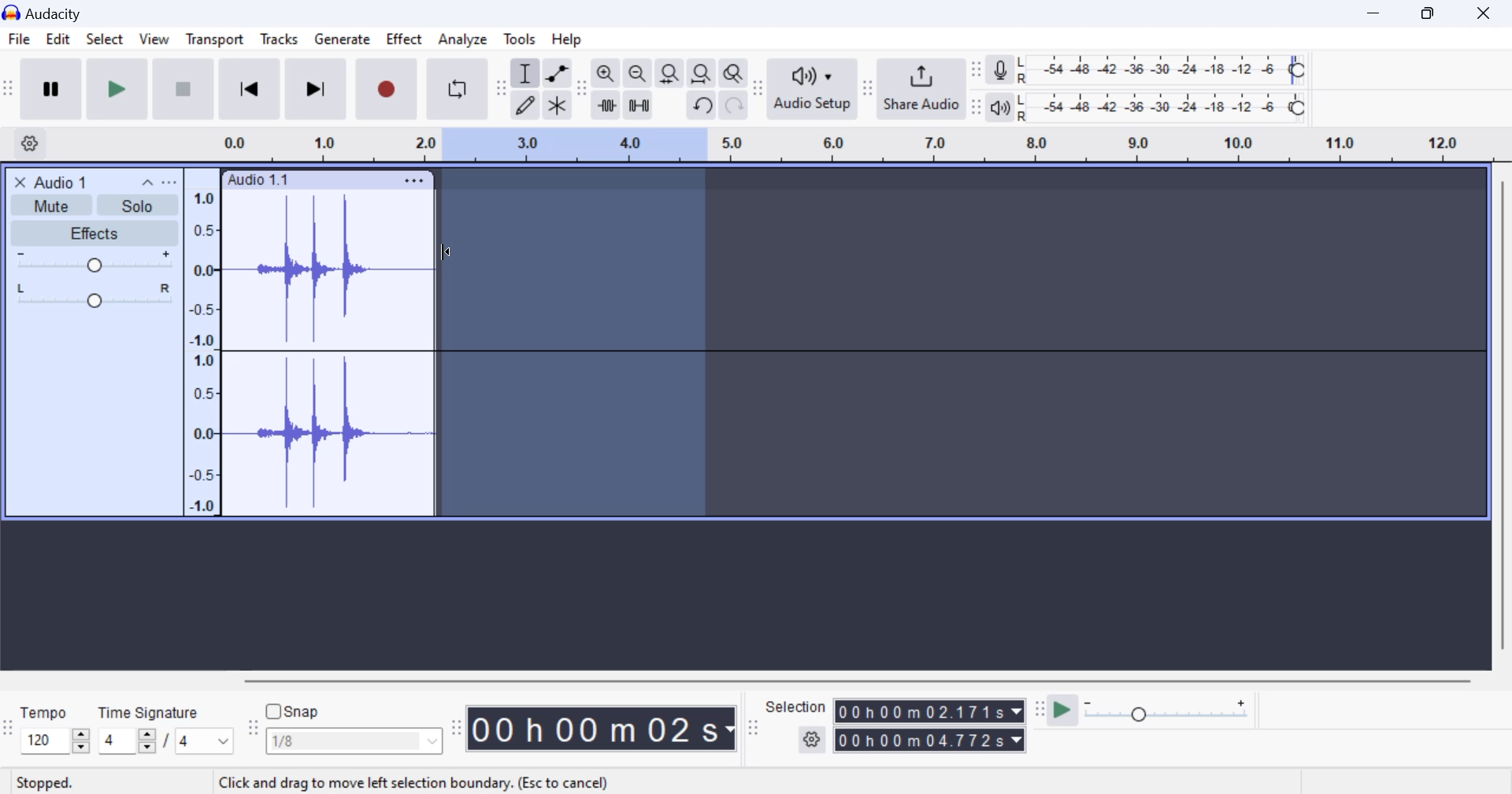 The width and height of the screenshot is (1512, 794). I want to click on Skip To End, so click(313, 92).